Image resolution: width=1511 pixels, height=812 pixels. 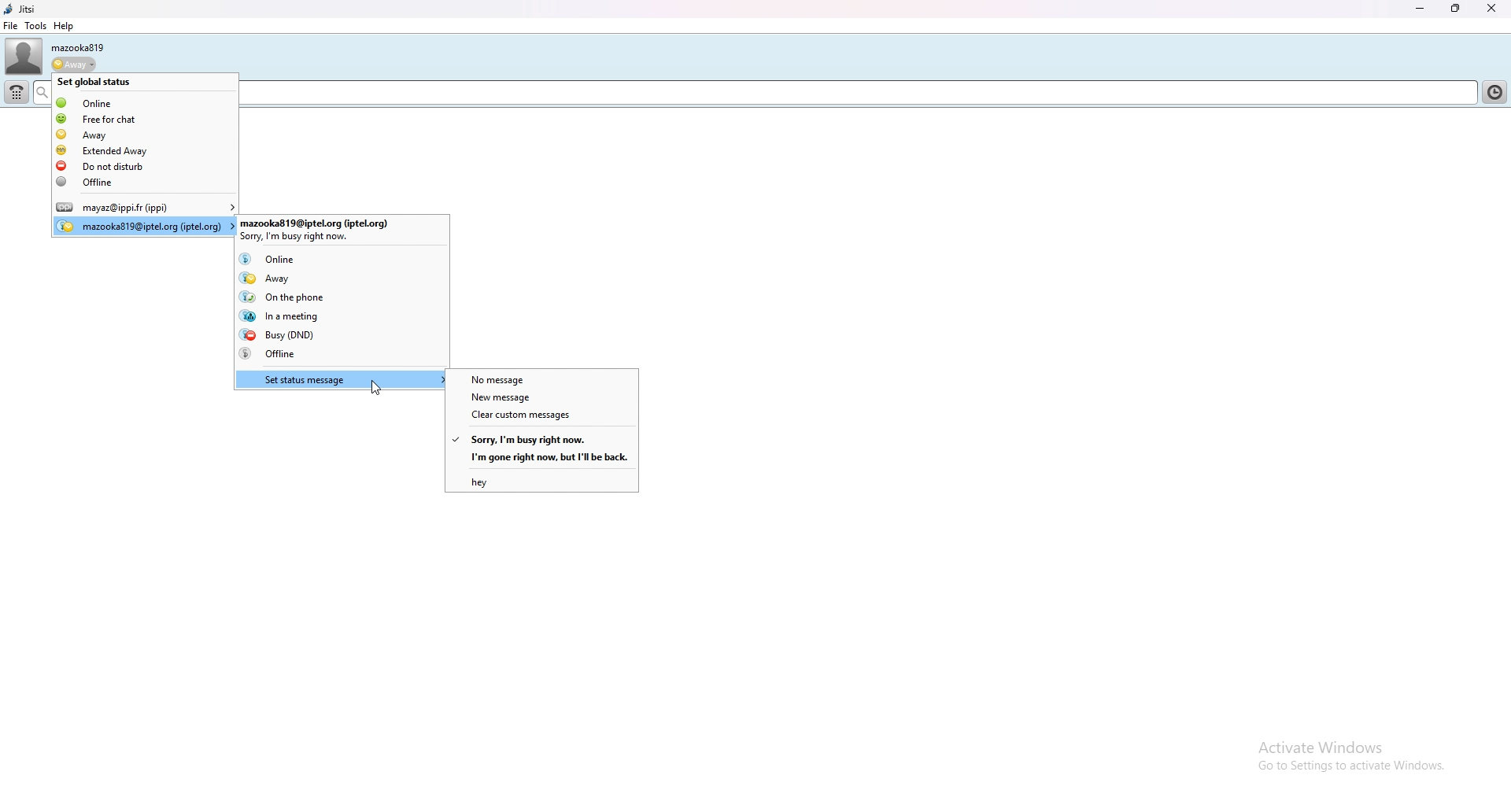 What do you see at coordinates (145, 82) in the screenshot?
I see `set global status` at bounding box center [145, 82].